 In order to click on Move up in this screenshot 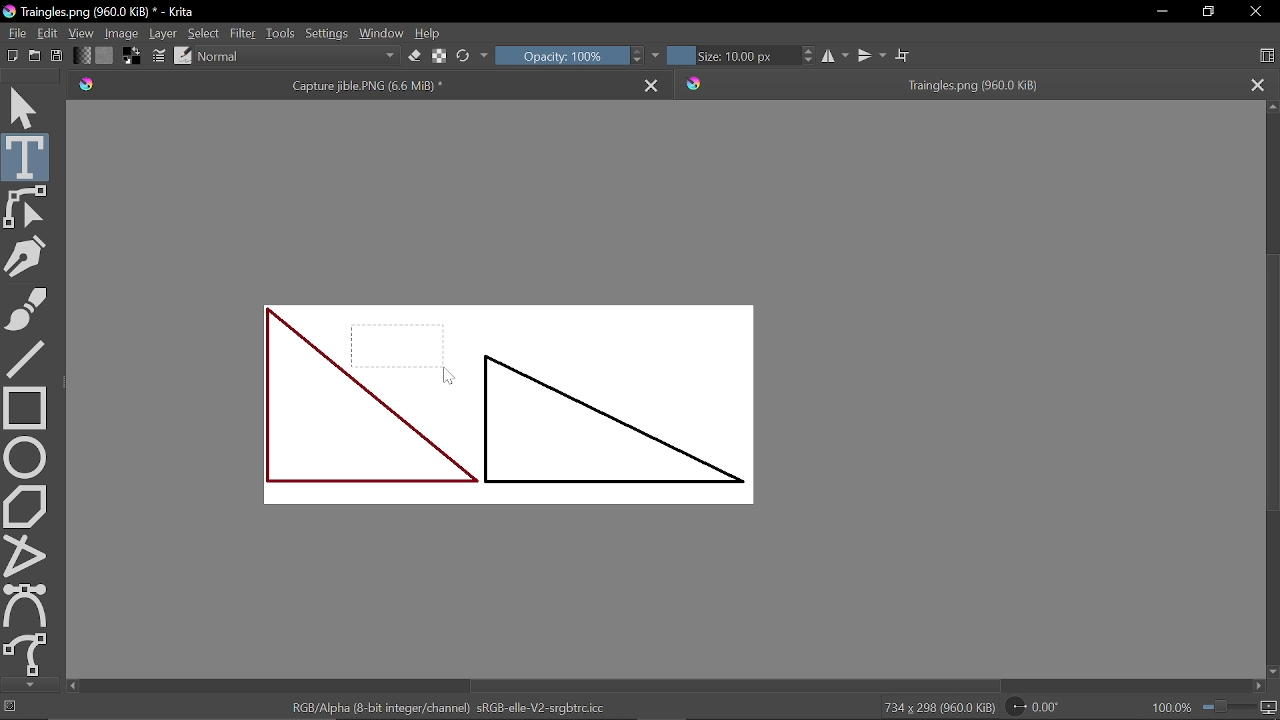, I will do `click(1272, 109)`.